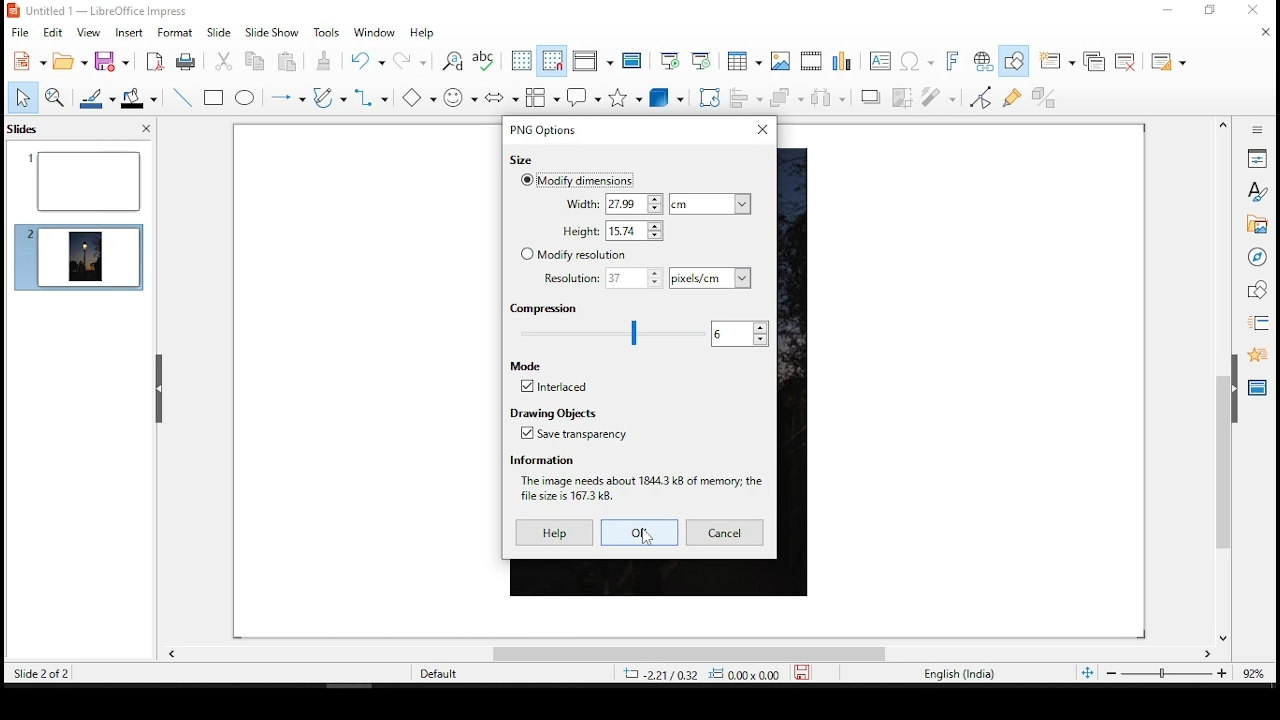  What do you see at coordinates (1169, 61) in the screenshot?
I see `slide layout` at bounding box center [1169, 61].